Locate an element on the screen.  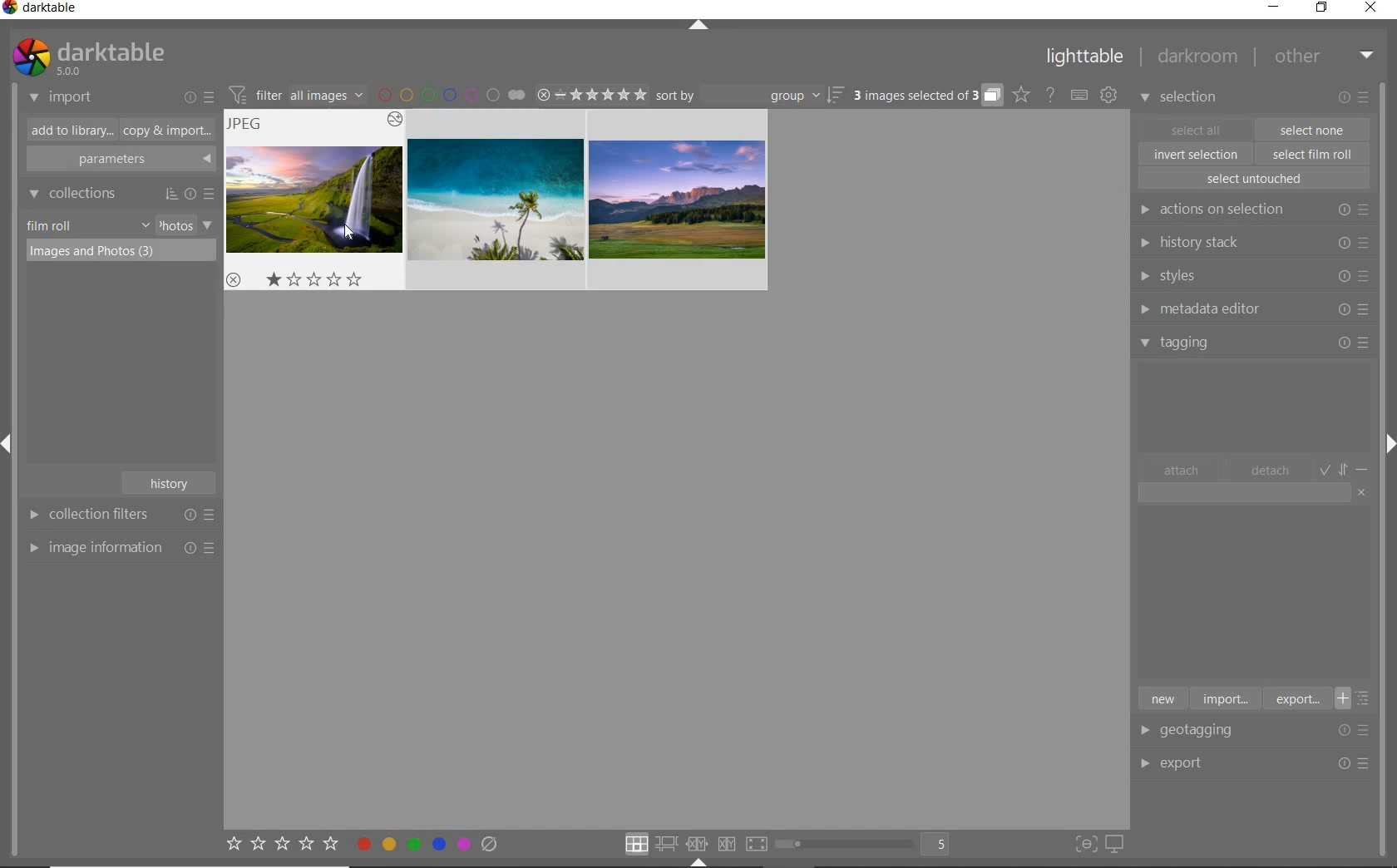
toggle view is located at coordinates (868, 846).